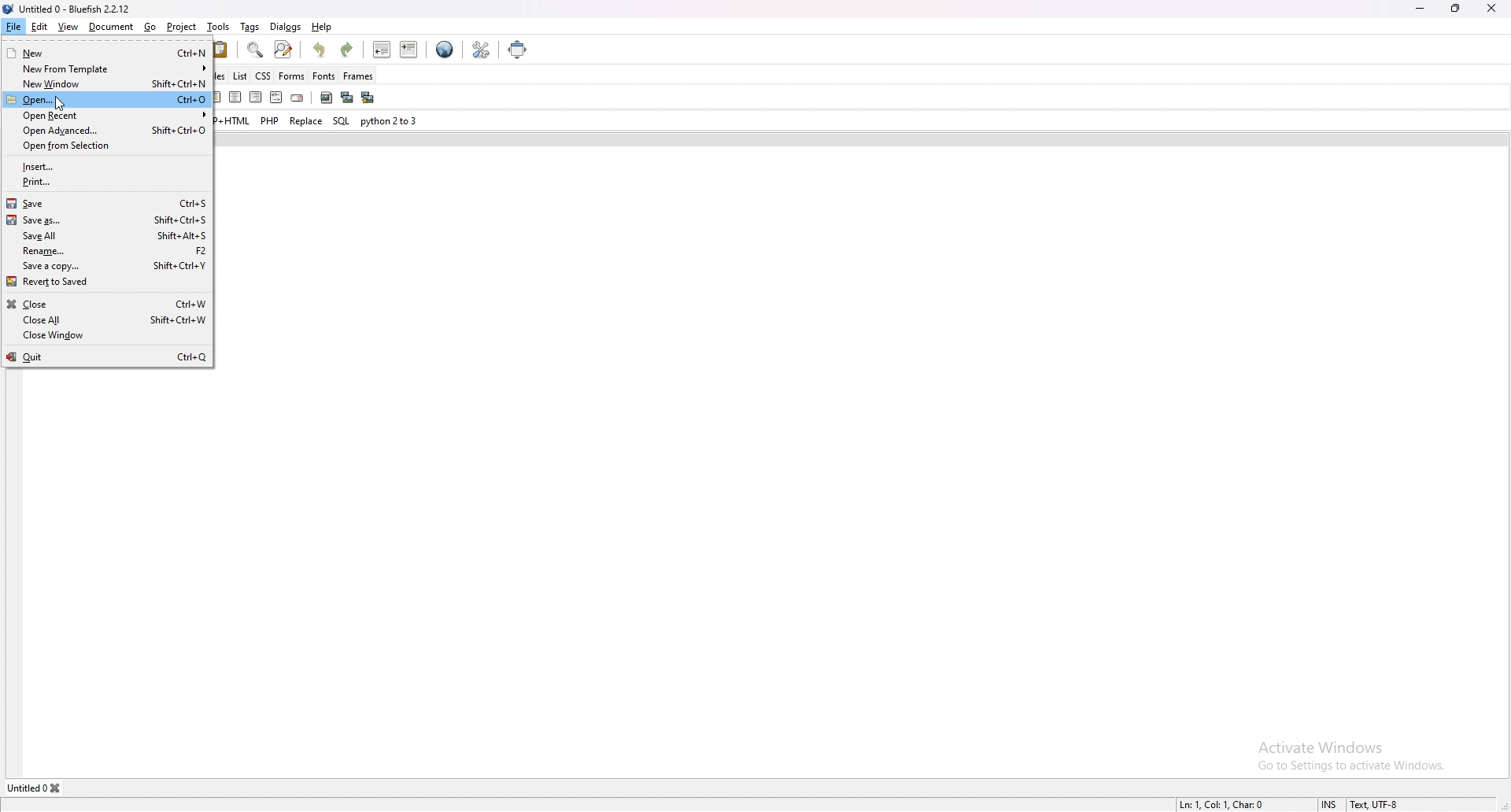  Describe the element at coordinates (182, 235) in the screenshot. I see `Shifts Alt+S` at that location.